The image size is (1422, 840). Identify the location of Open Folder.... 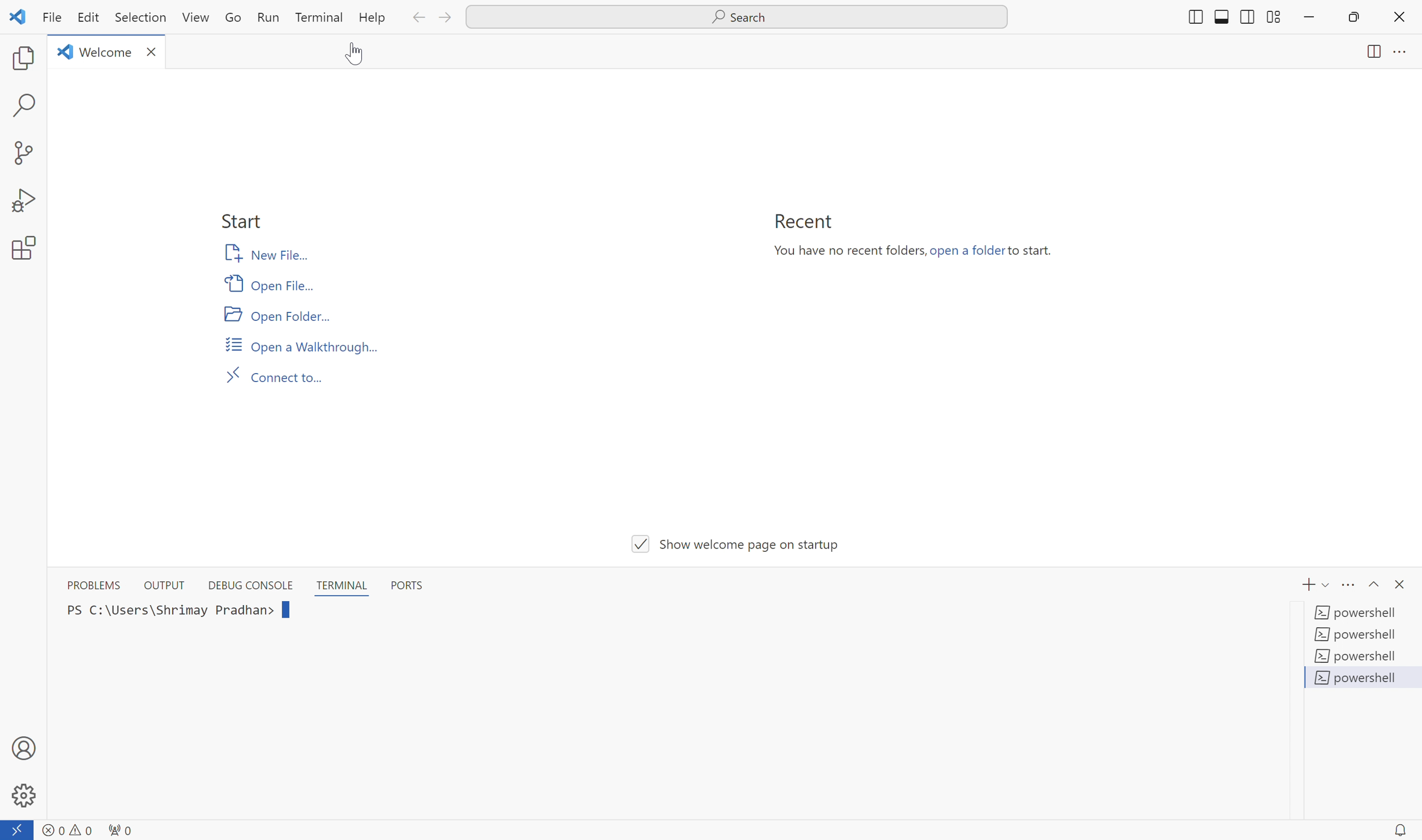
(281, 314).